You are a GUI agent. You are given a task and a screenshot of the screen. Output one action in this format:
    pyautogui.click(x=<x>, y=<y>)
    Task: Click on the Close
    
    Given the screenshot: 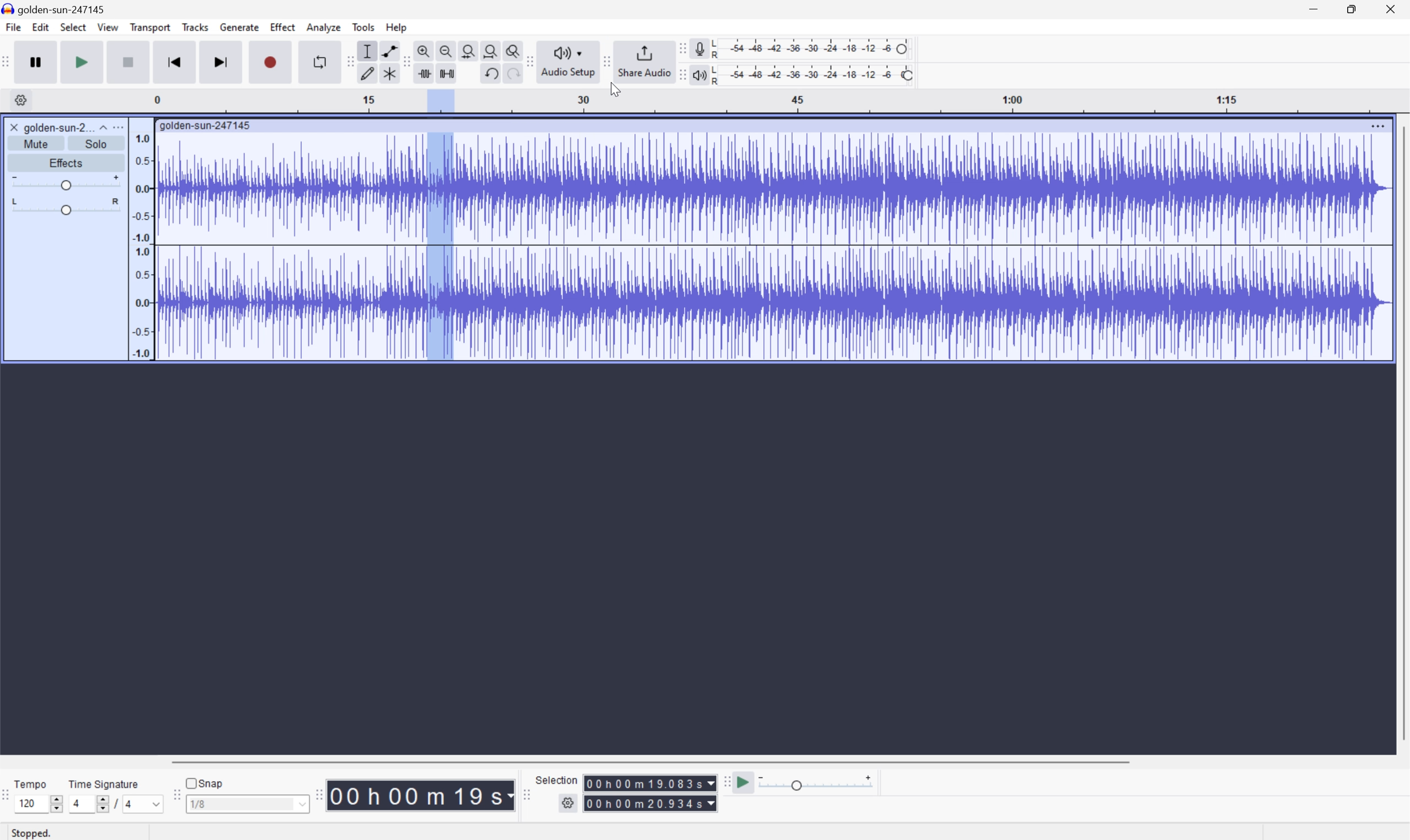 What is the action you would take?
    pyautogui.click(x=1394, y=8)
    